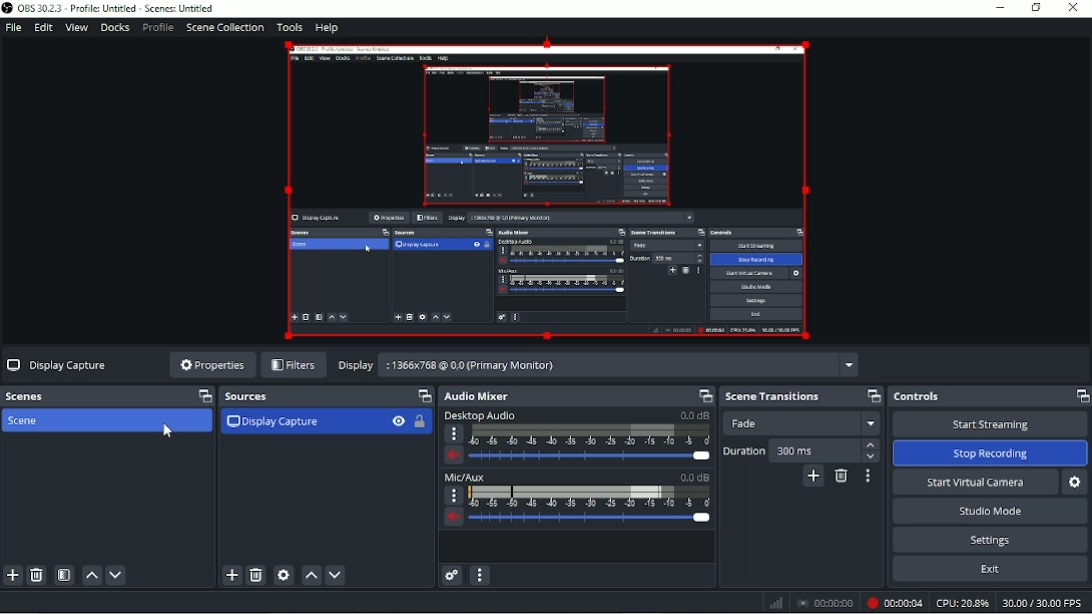 The height and width of the screenshot is (614, 1092). Describe the element at coordinates (30, 396) in the screenshot. I see `Scenes` at that location.